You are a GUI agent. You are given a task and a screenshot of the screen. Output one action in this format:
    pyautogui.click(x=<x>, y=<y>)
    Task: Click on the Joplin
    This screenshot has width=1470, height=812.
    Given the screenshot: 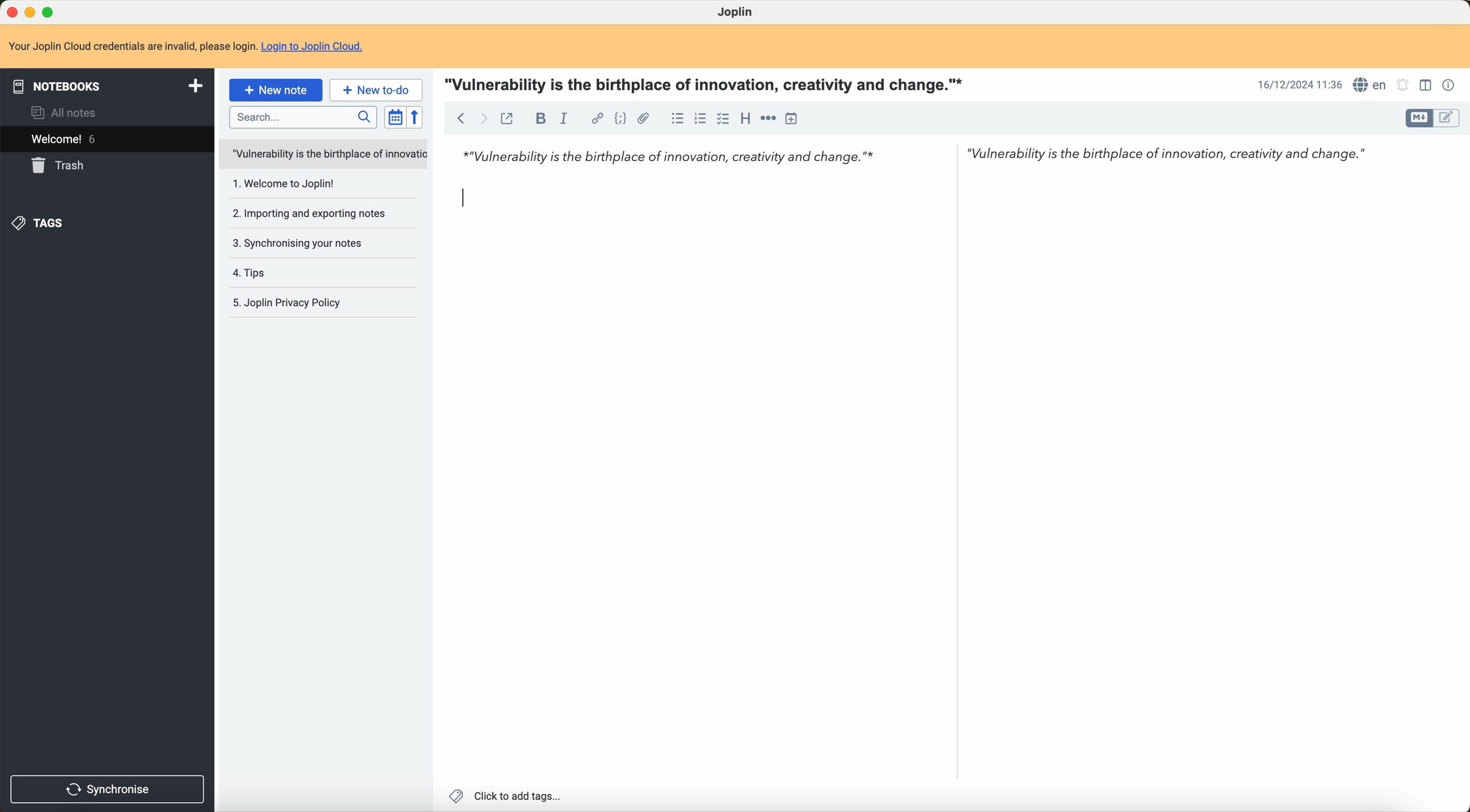 What is the action you would take?
    pyautogui.click(x=738, y=13)
    